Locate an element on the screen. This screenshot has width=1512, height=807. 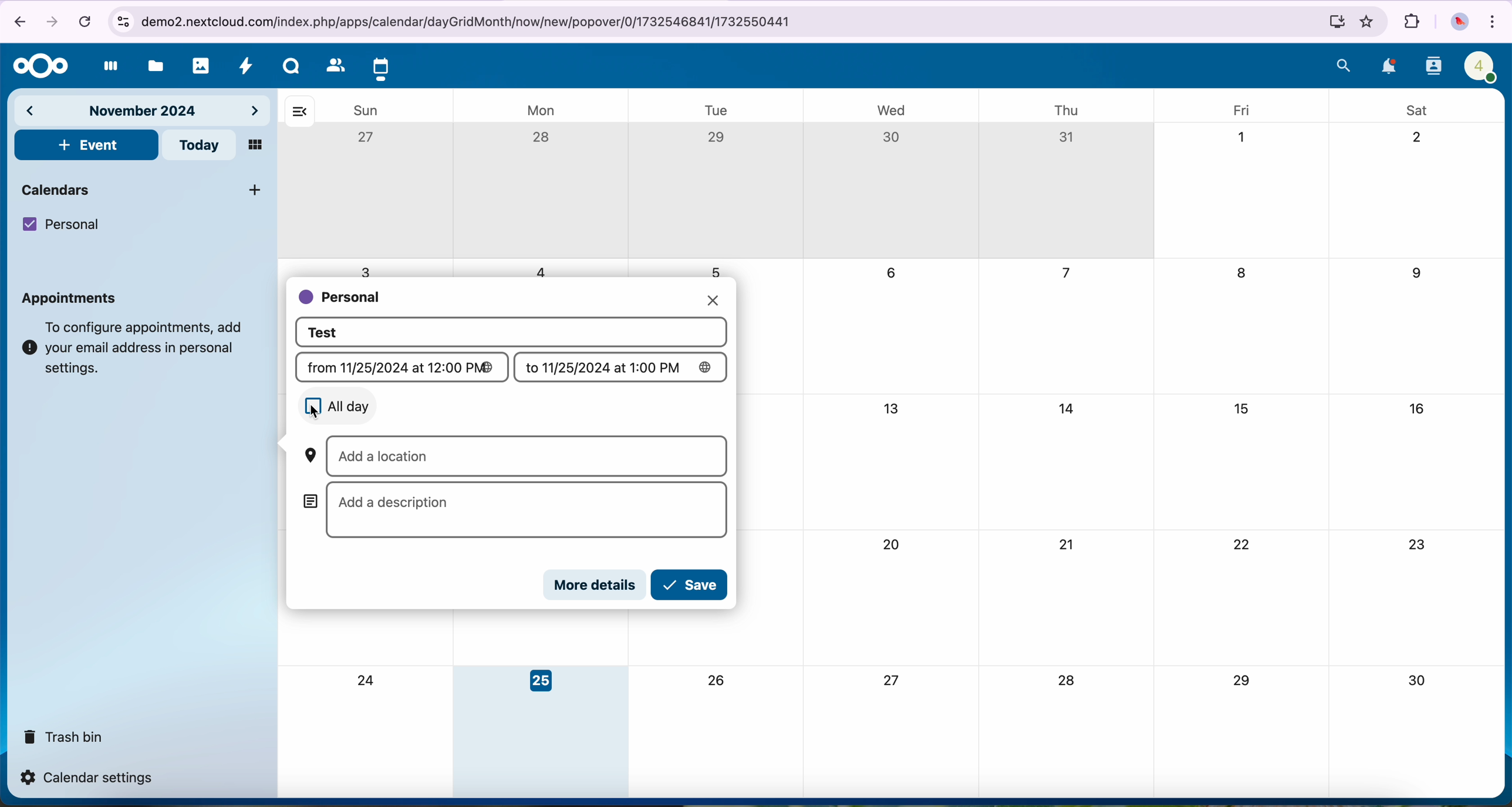
20 is located at coordinates (889, 544).